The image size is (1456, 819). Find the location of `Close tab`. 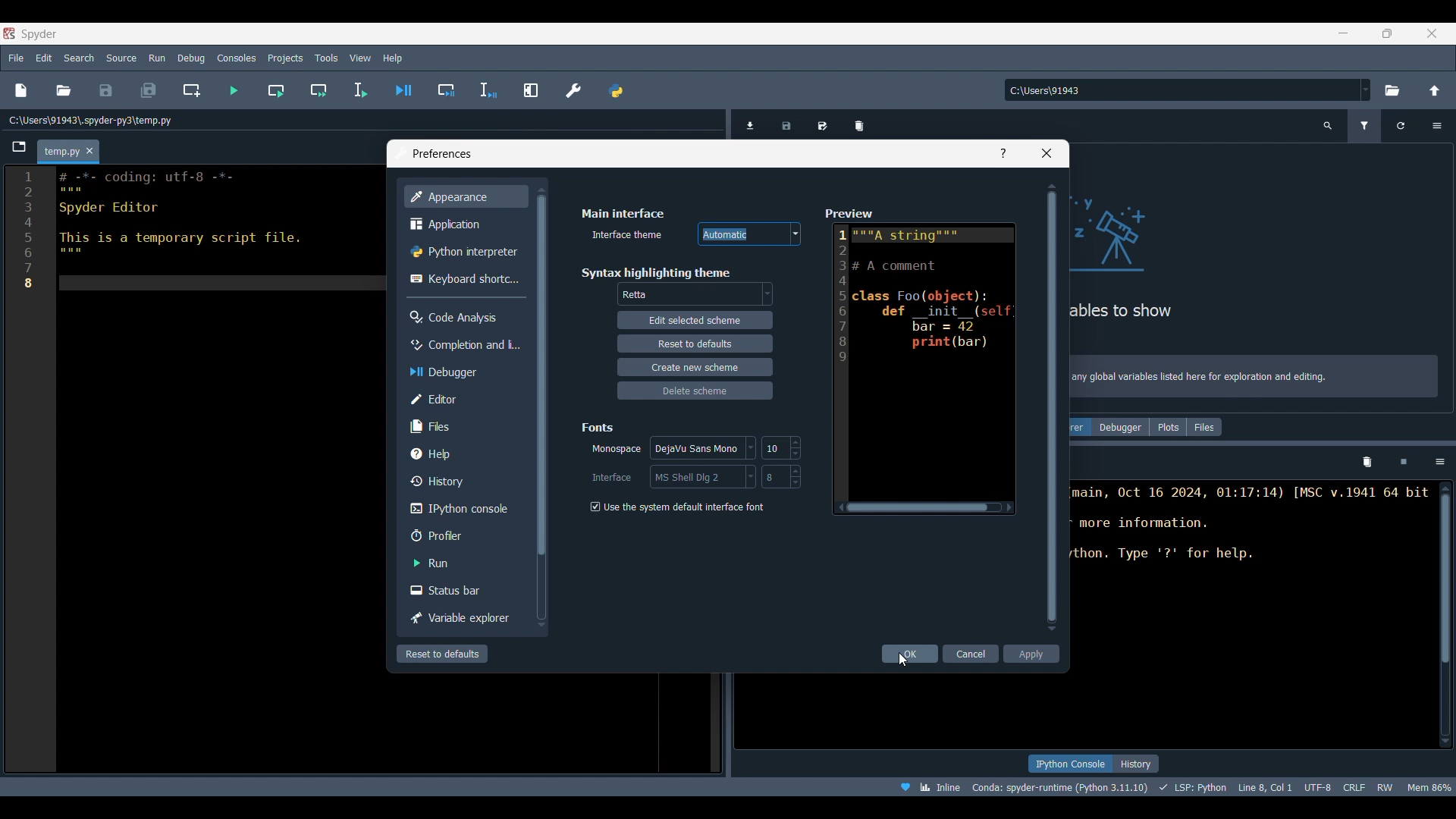

Close tab is located at coordinates (89, 152).